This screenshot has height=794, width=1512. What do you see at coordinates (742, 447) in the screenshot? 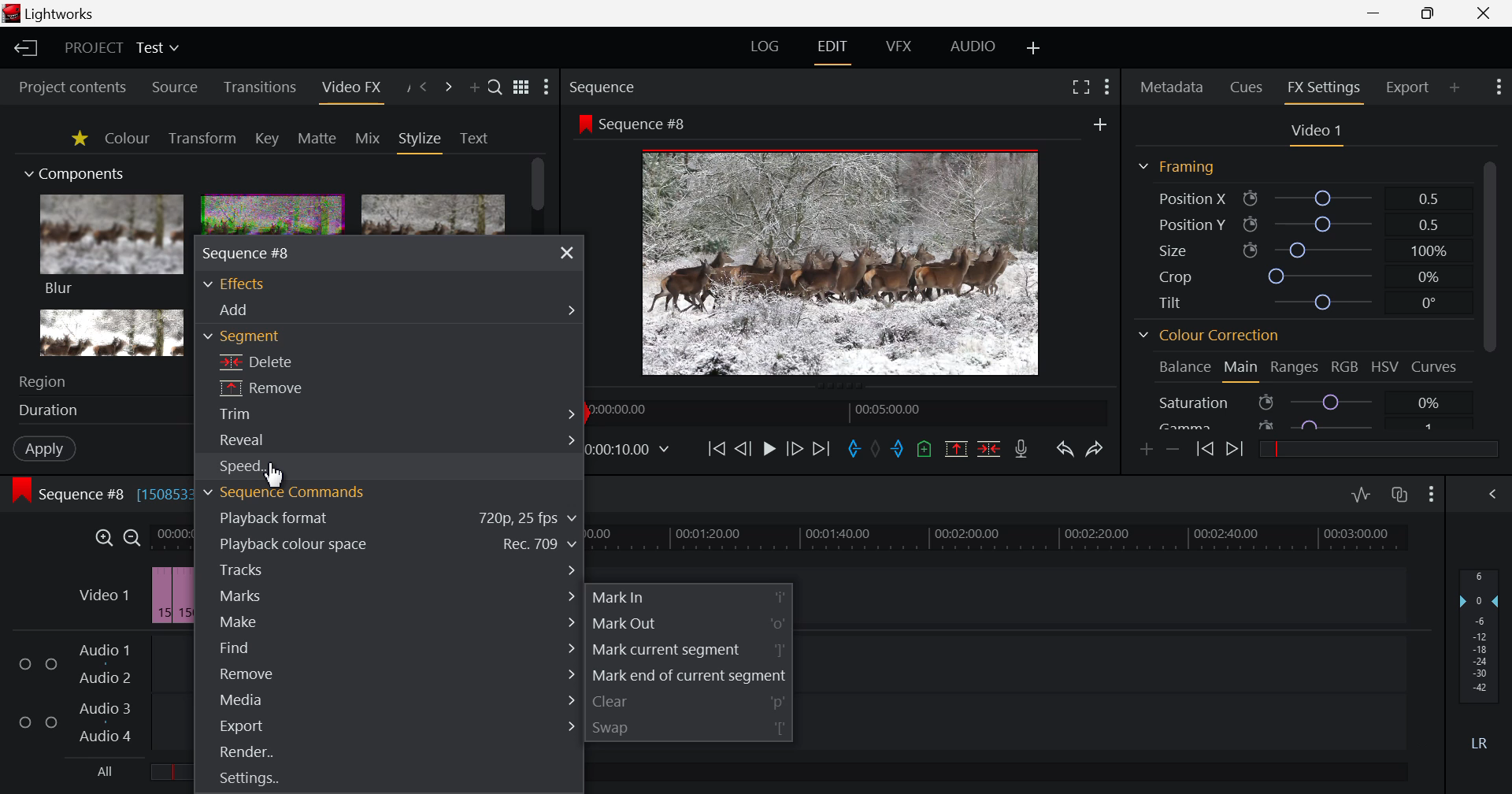
I see `Go Back` at bounding box center [742, 447].